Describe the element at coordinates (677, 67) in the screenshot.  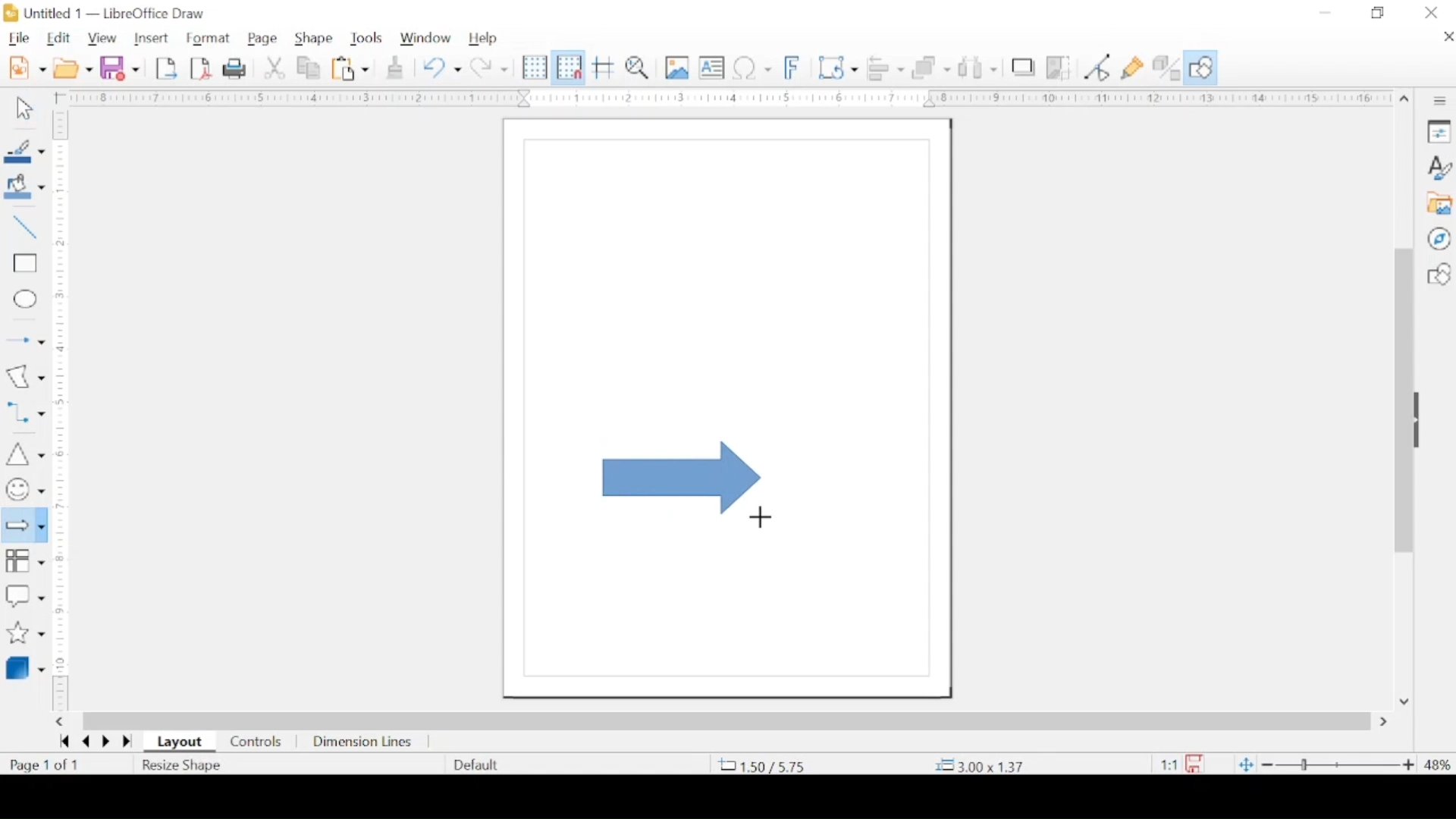
I see `insert image` at that location.